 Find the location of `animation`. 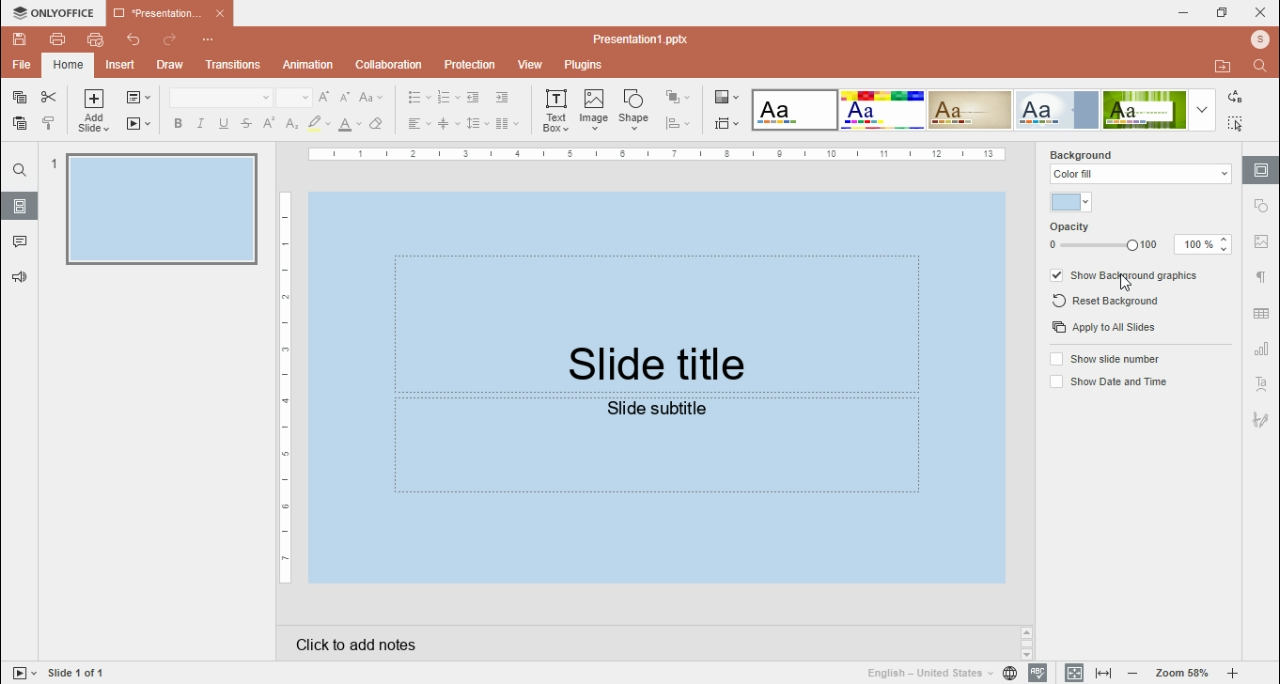

animation is located at coordinates (305, 65).